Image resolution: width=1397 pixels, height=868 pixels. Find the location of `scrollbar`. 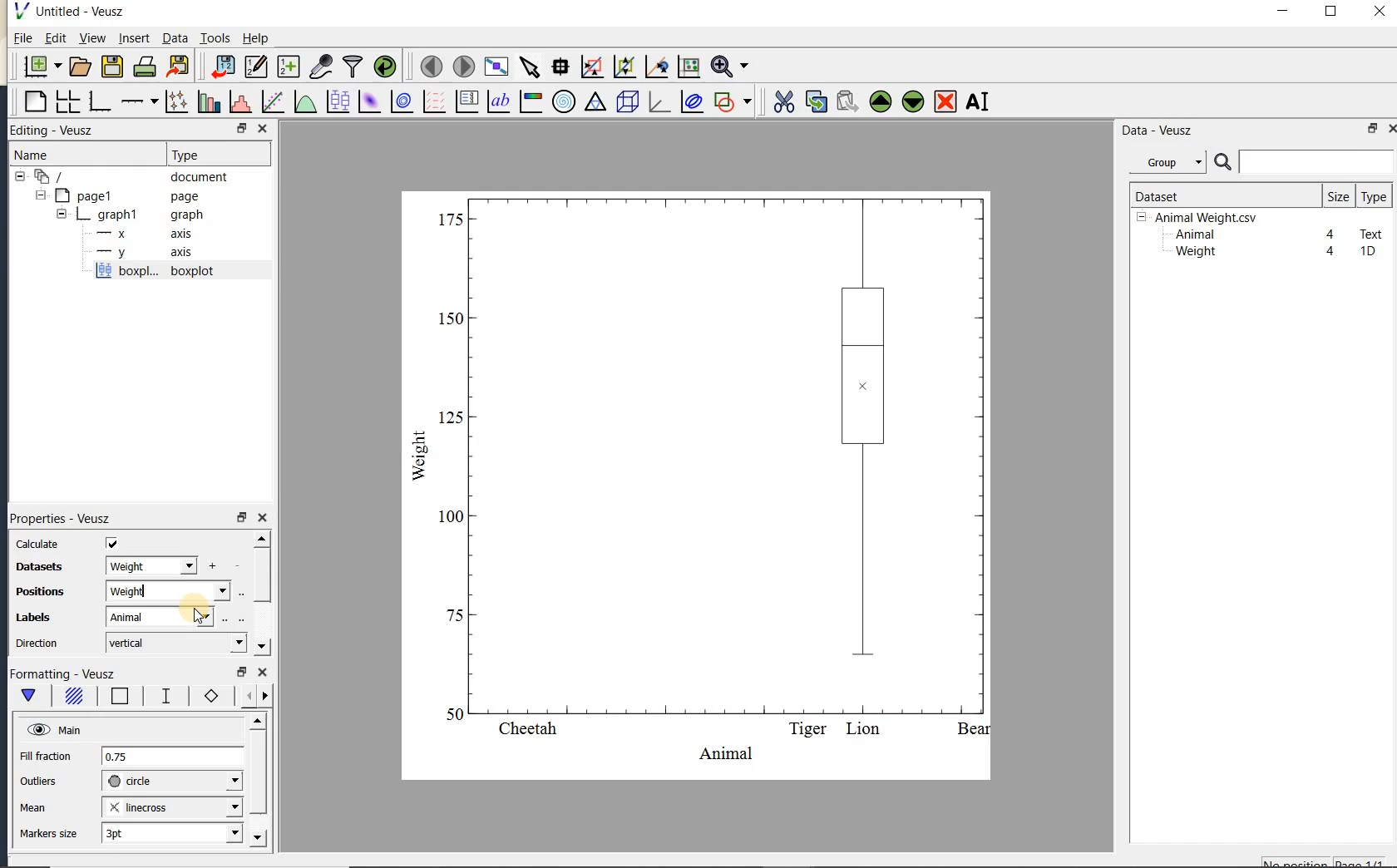

scrollbar is located at coordinates (261, 594).